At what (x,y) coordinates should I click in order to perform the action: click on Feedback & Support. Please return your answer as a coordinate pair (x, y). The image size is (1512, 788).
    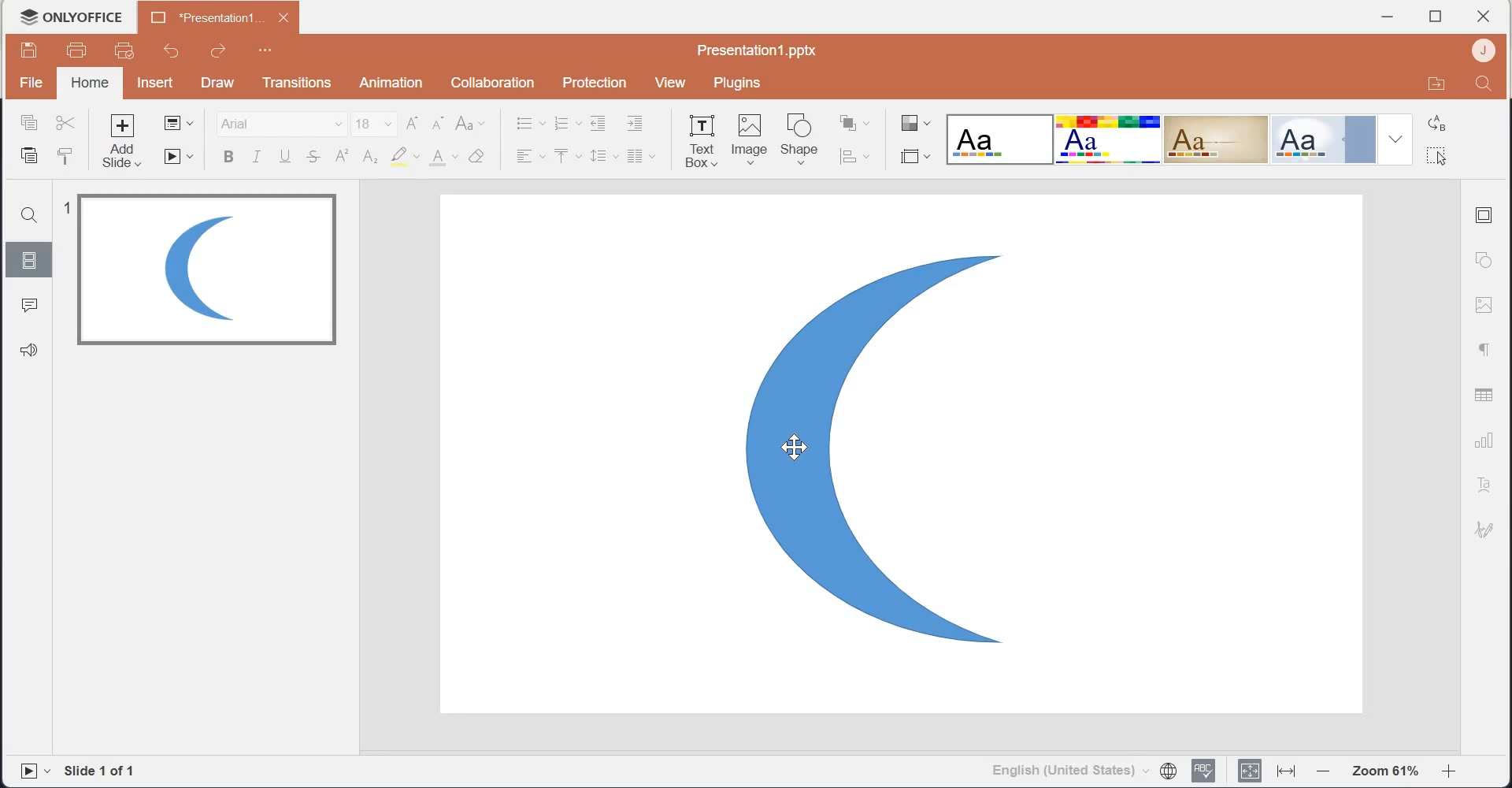
    Looking at the image, I should click on (28, 350).